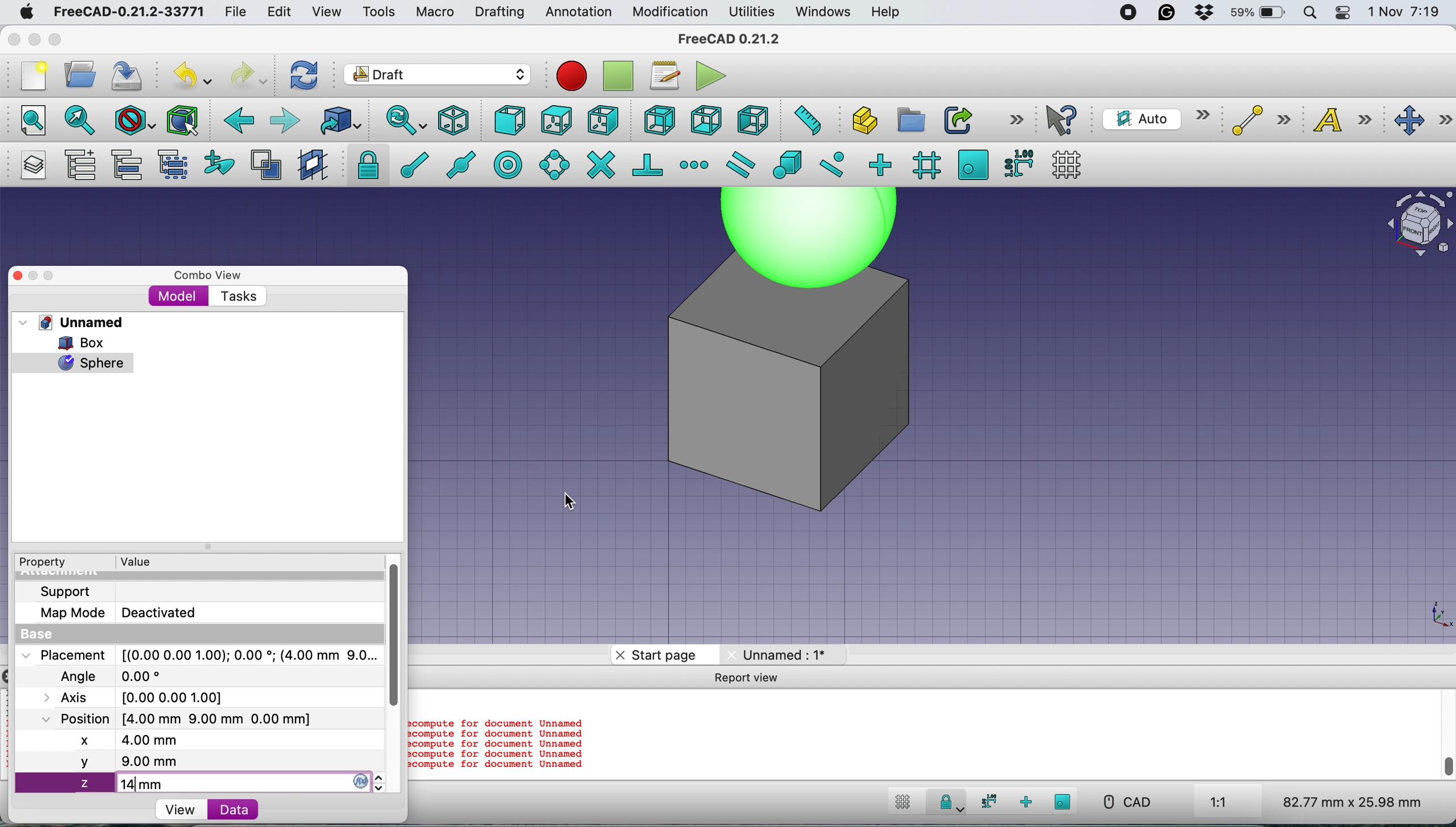 This screenshot has height=827, width=1456. Describe the element at coordinates (369, 781) in the screenshot. I see `z axis changer` at that location.